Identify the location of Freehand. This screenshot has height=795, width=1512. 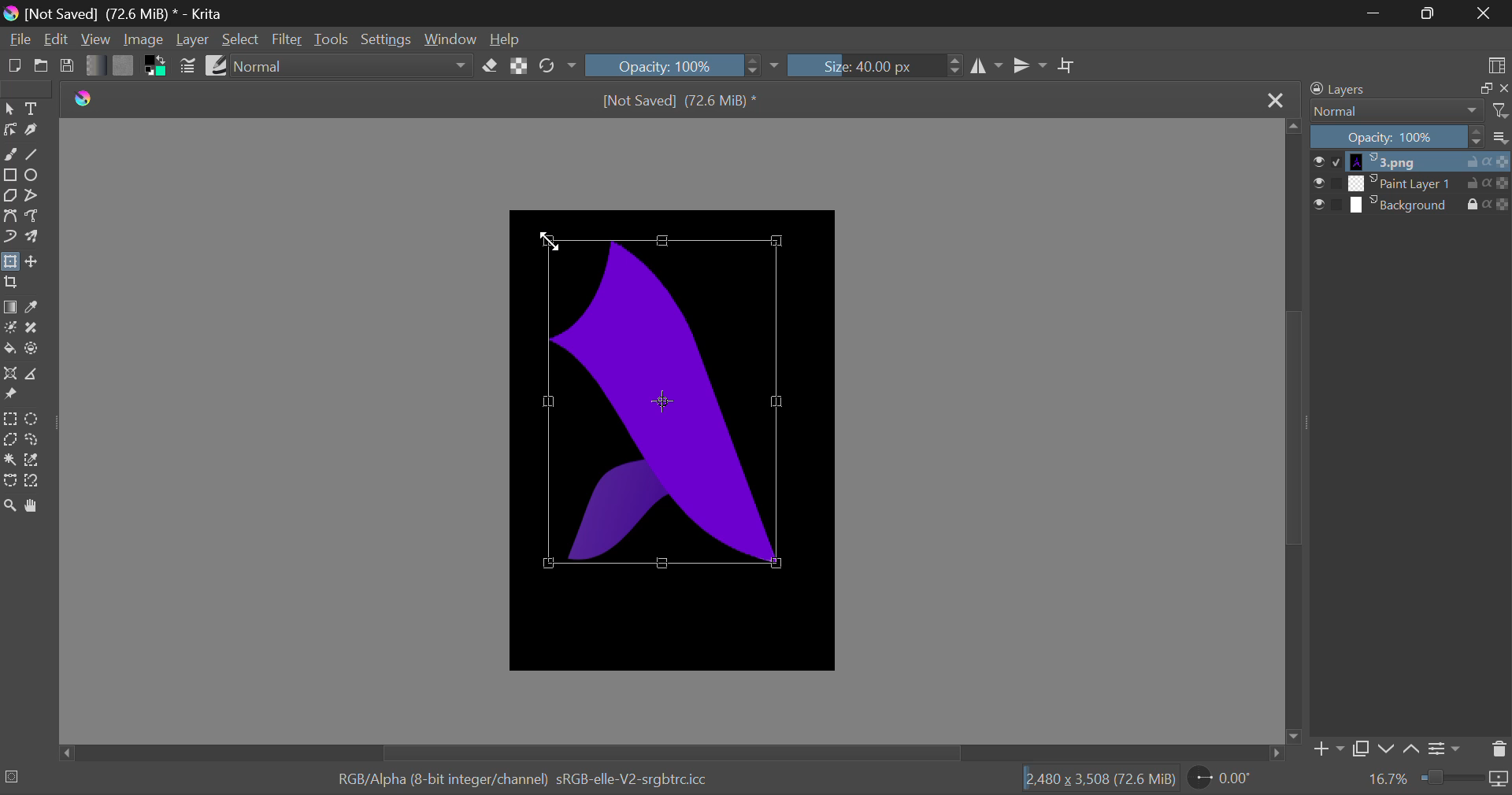
(10, 152).